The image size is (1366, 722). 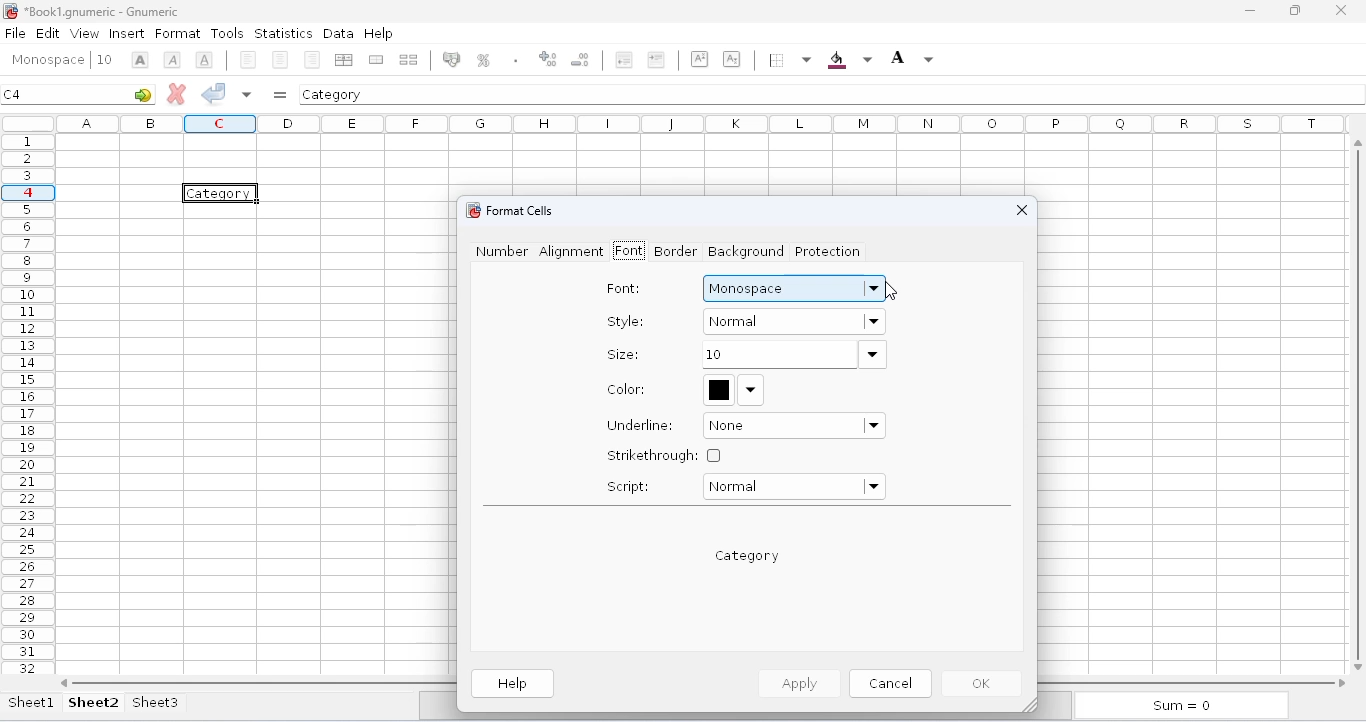 What do you see at coordinates (1022, 210) in the screenshot?
I see `close` at bounding box center [1022, 210].